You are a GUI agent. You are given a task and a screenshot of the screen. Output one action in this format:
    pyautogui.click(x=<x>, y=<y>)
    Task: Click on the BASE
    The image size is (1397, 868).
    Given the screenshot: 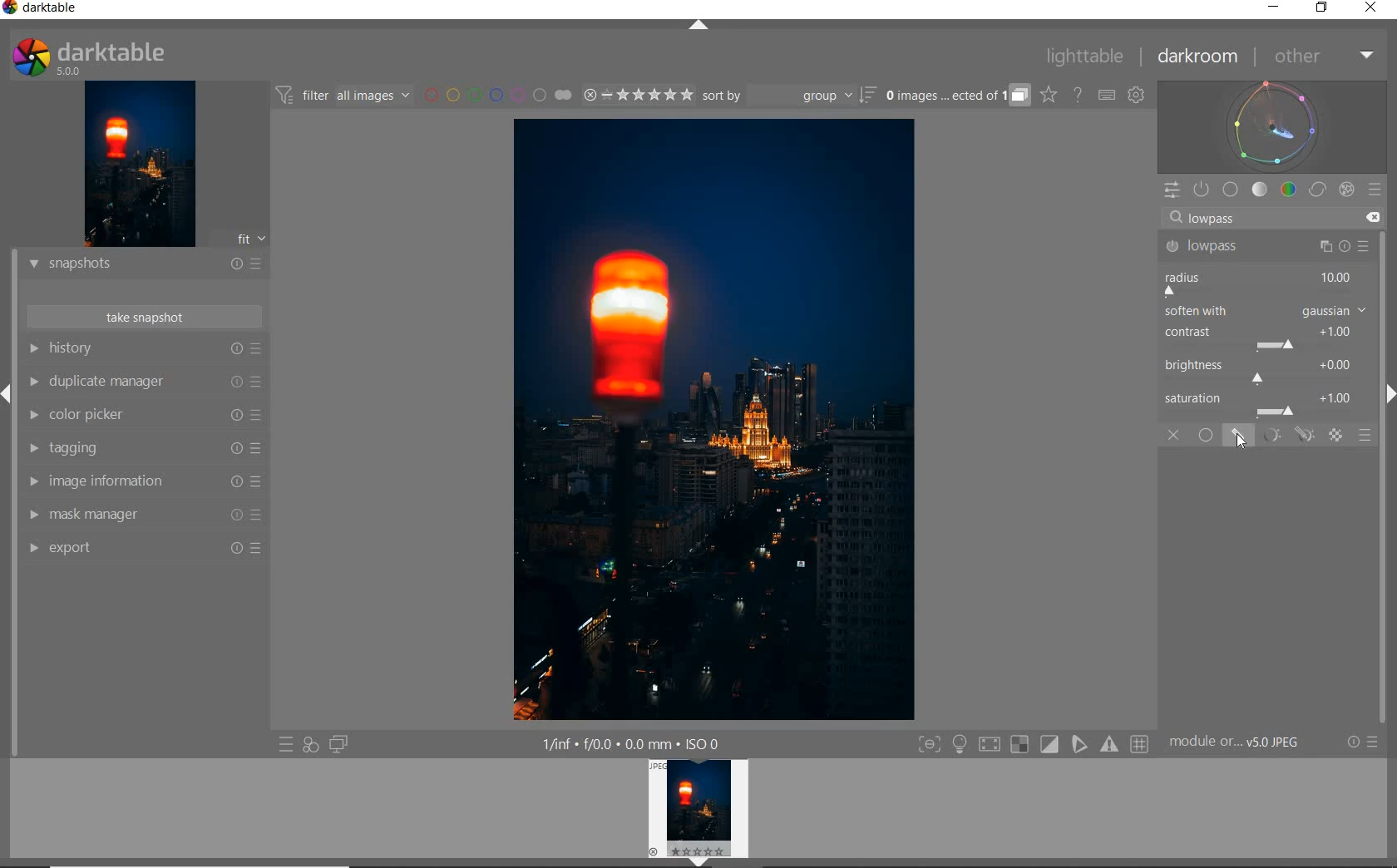 What is the action you would take?
    pyautogui.click(x=1232, y=190)
    